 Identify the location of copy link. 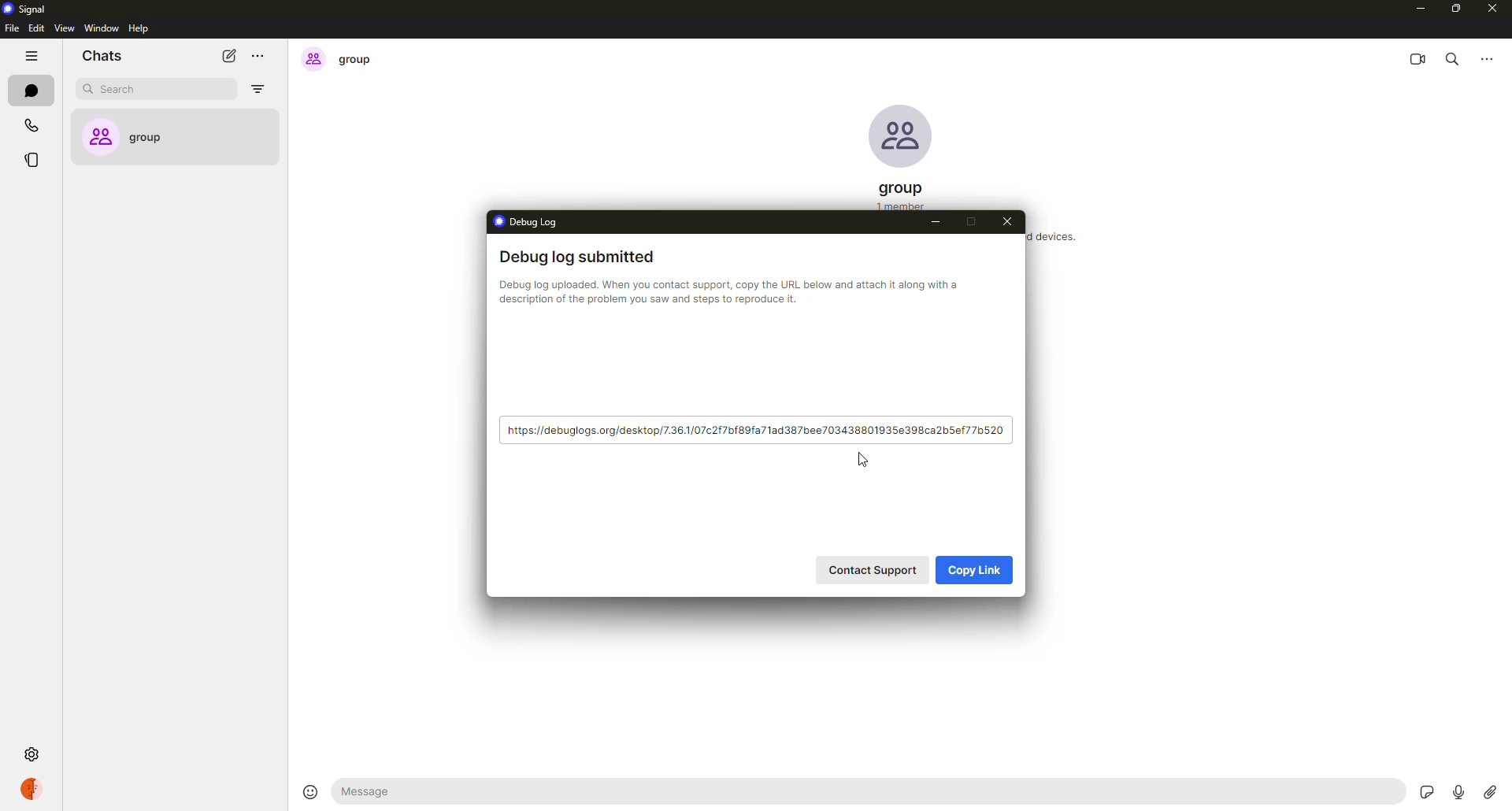
(969, 571).